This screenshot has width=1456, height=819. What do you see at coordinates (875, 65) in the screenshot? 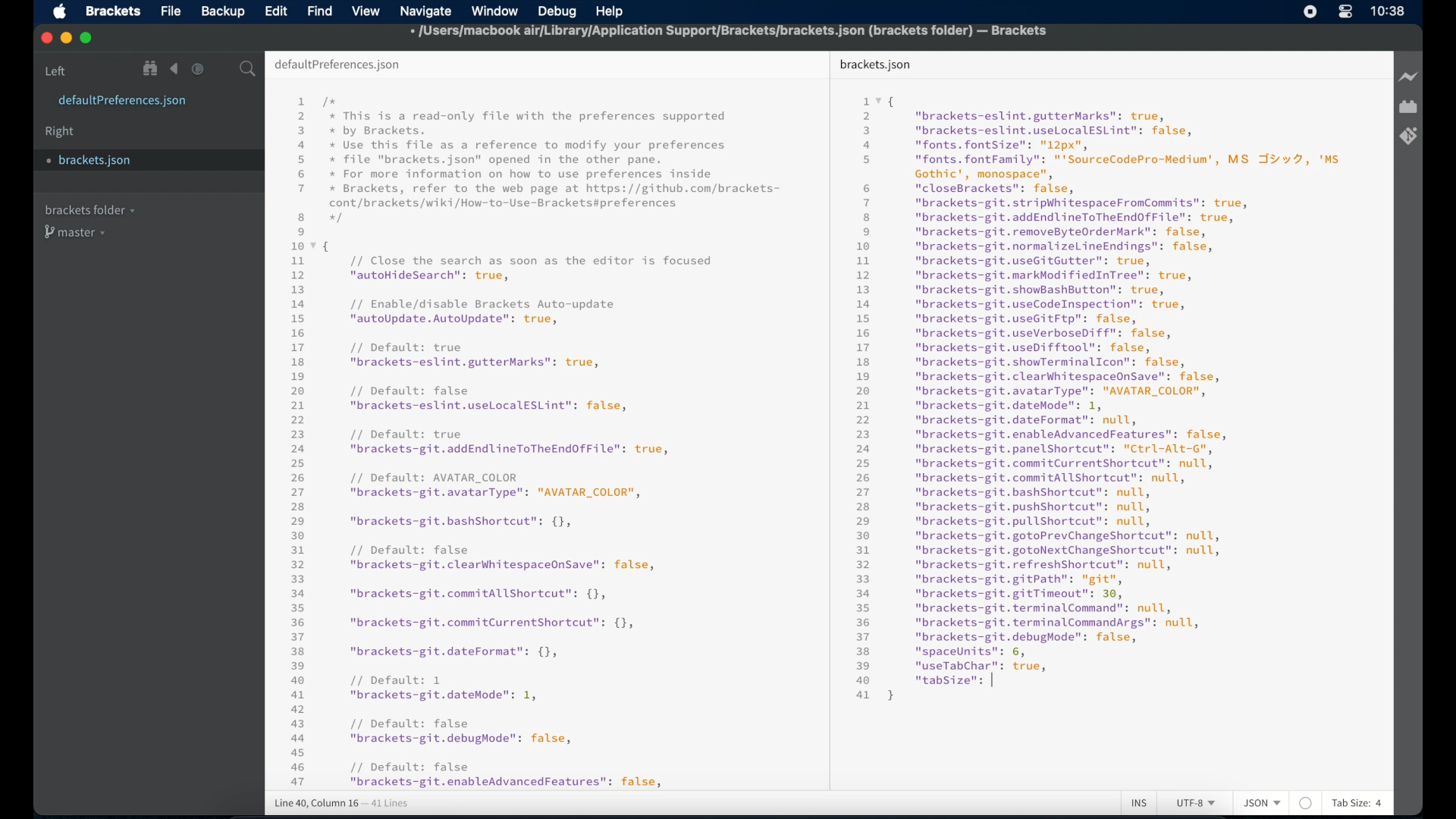
I see `brackets.json` at bounding box center [875, 65].